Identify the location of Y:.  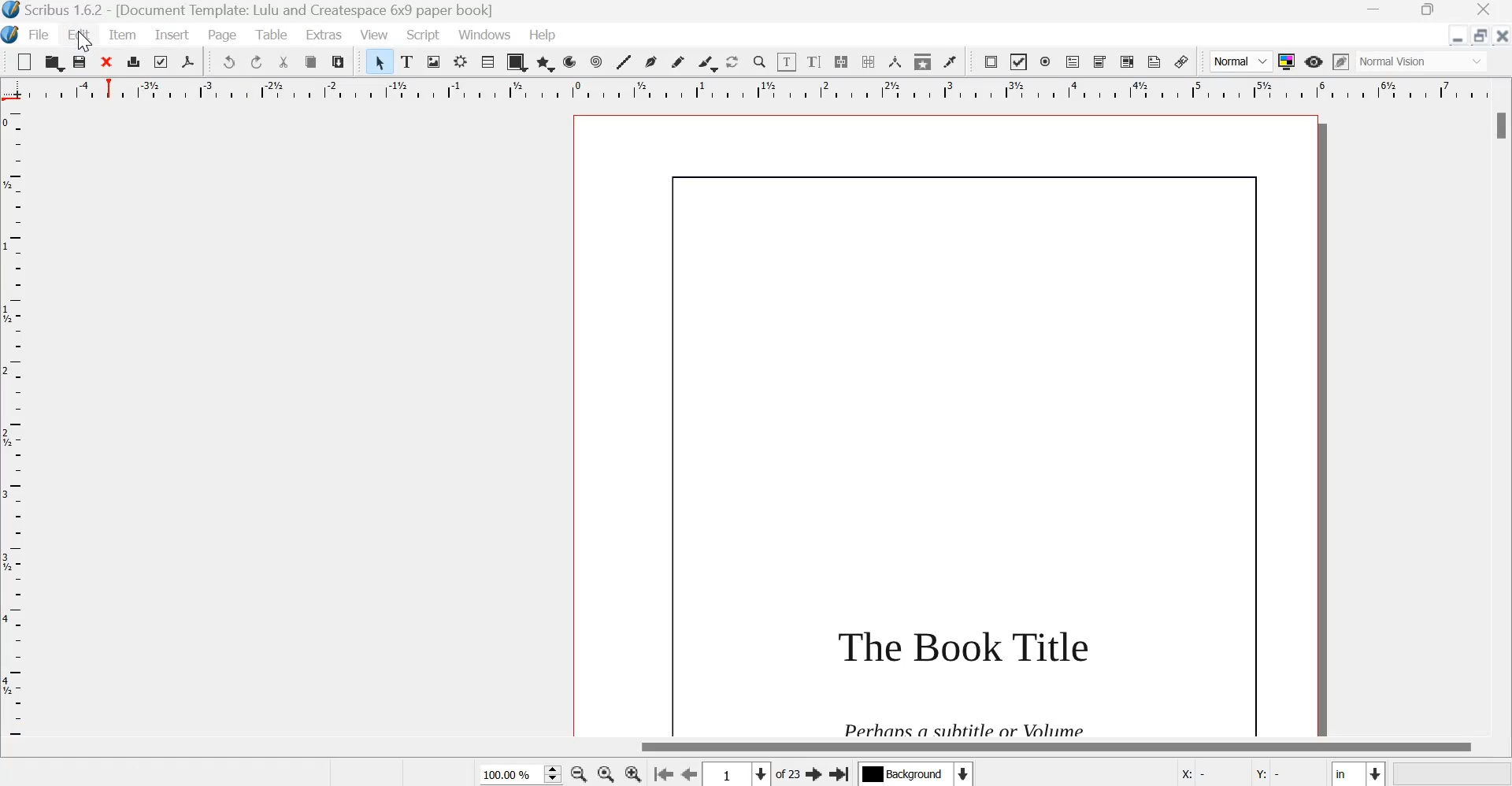
(1266, 773).